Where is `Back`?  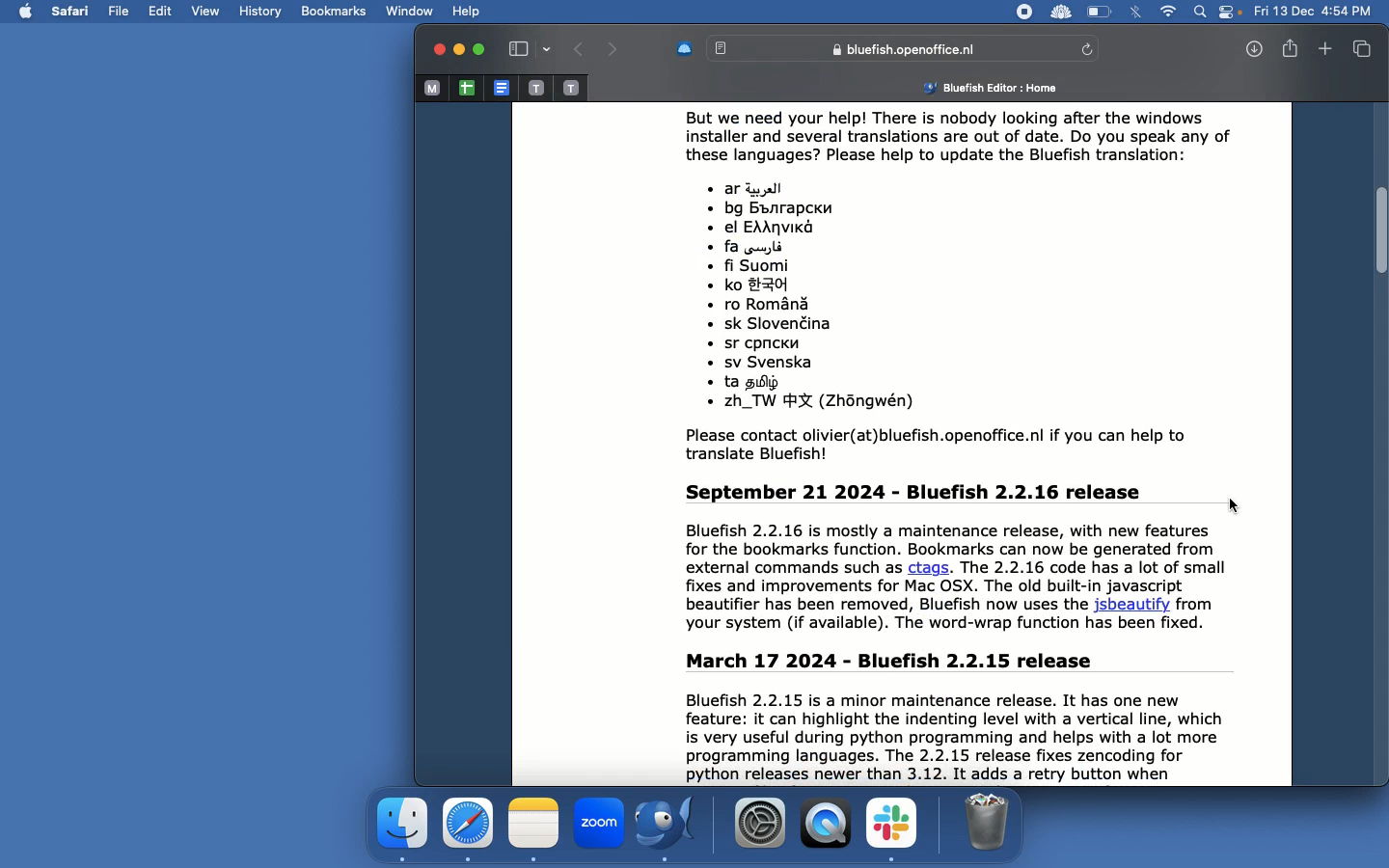
Back is located at coordinates (582, 50).